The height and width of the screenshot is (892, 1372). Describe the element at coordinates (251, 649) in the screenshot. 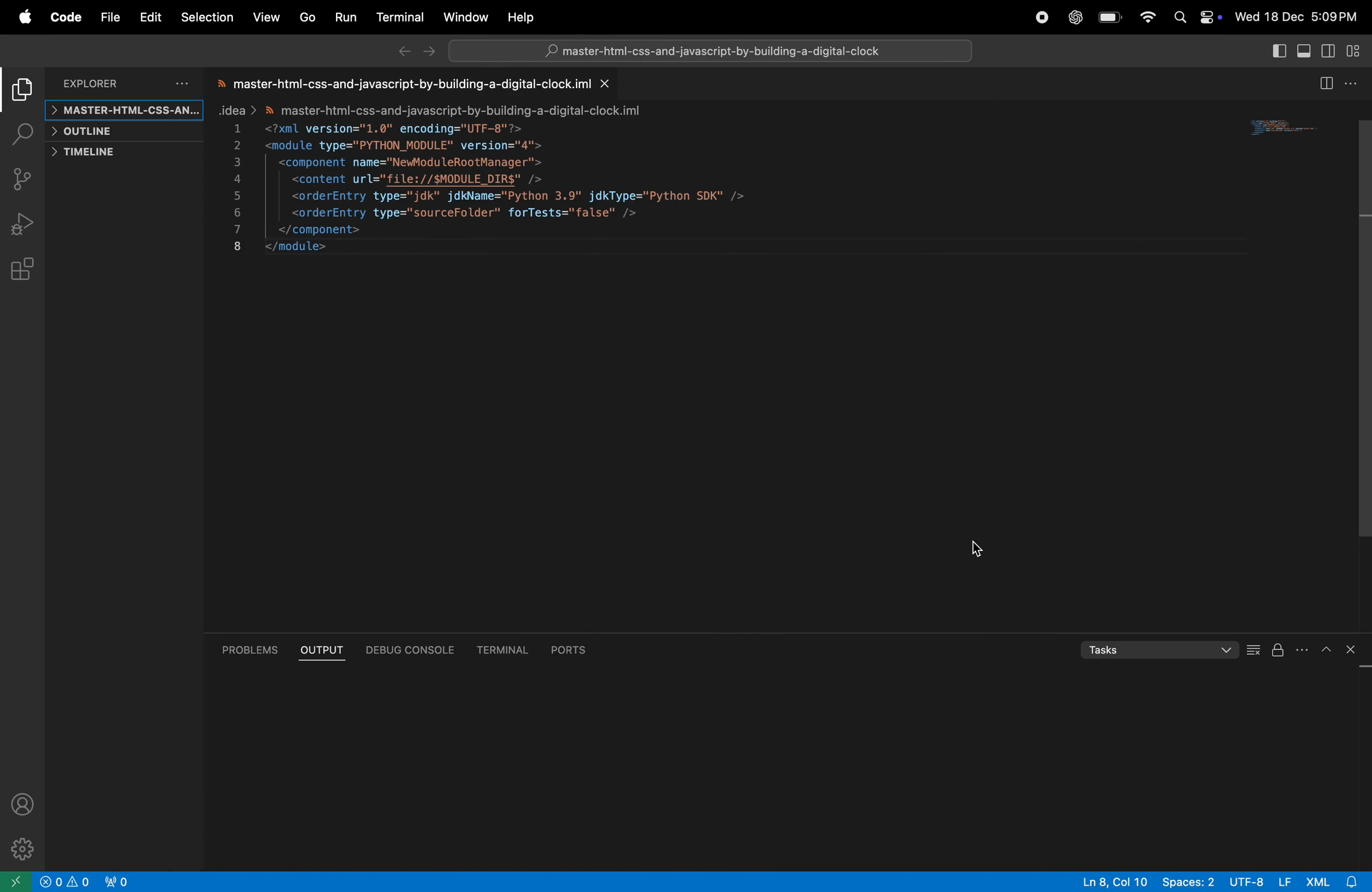

I see `problems` at that location.